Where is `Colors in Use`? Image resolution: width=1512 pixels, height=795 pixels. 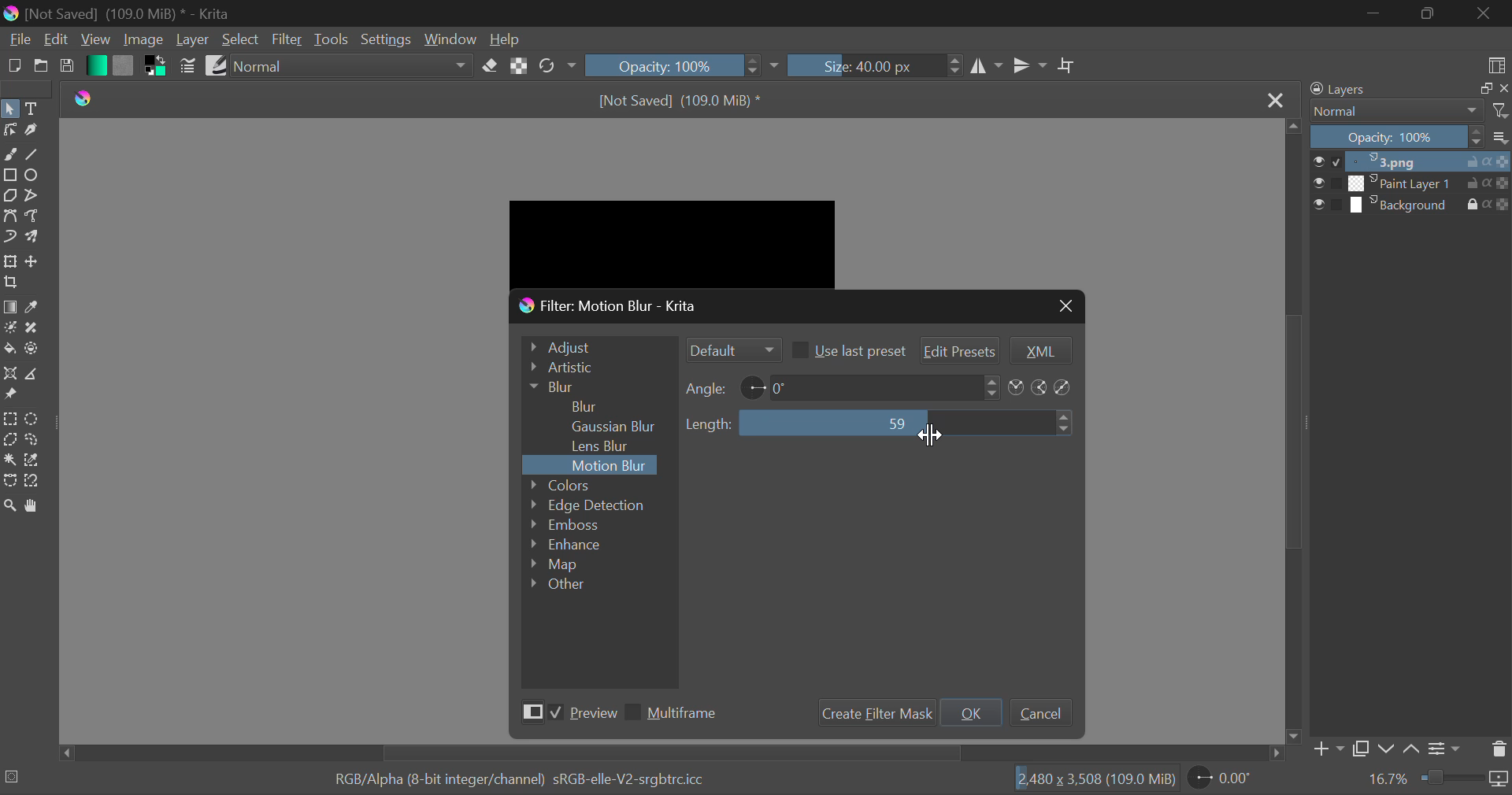
Colors in Use is located at coordinates (153, 68).